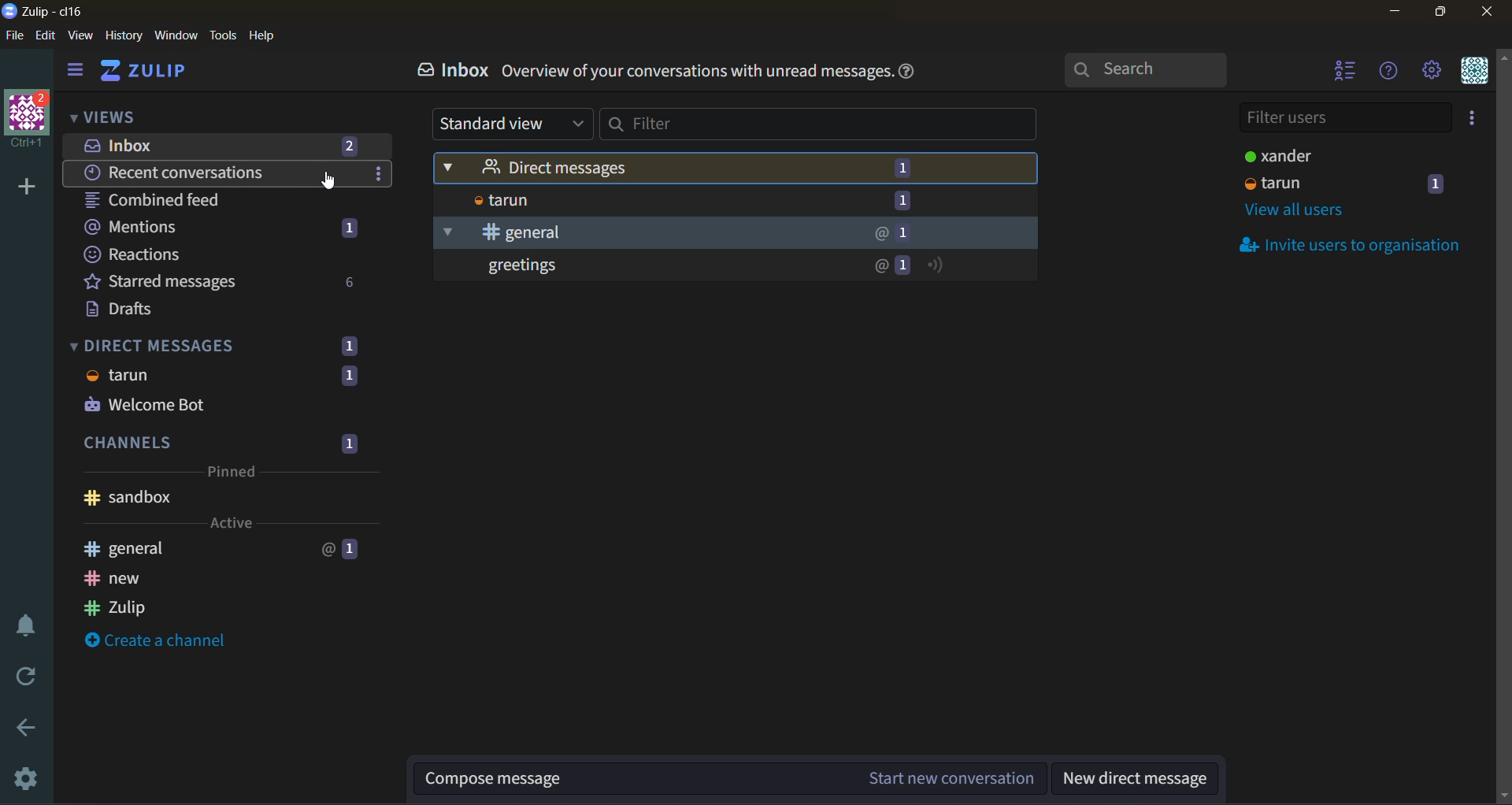 Image resolution: width=1512 pixels, height=805 pixels. I want to click on filter, so click(818, 124).